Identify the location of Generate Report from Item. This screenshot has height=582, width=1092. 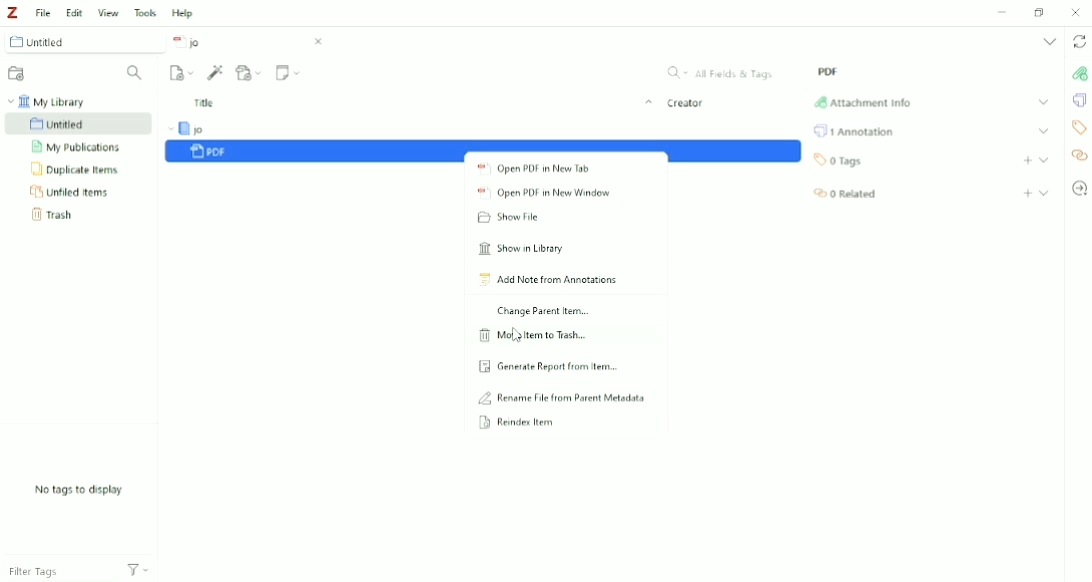
(554, 368).